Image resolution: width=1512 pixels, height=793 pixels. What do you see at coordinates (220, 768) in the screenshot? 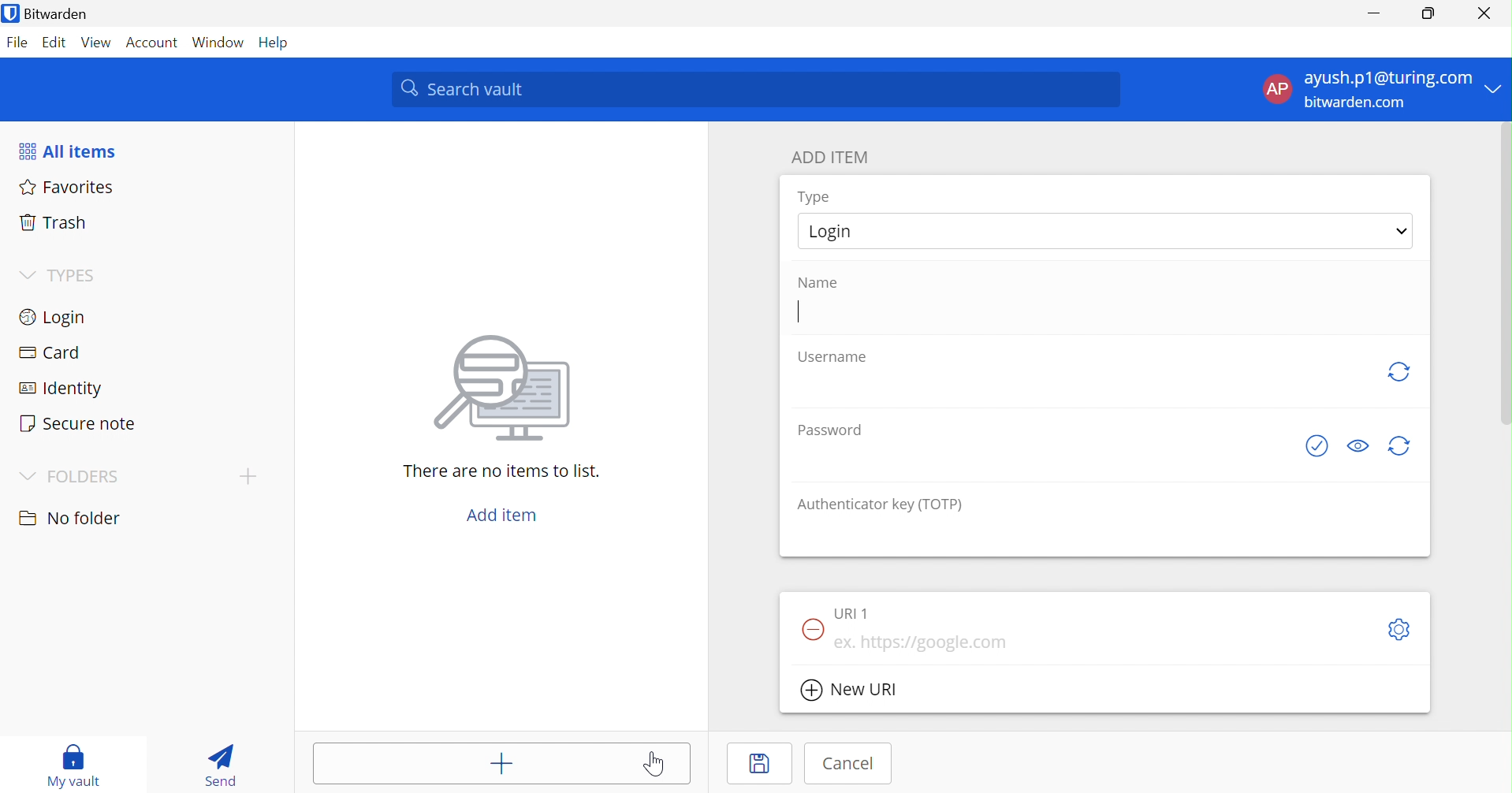
I see `Send` at bounding box center [220, 768].